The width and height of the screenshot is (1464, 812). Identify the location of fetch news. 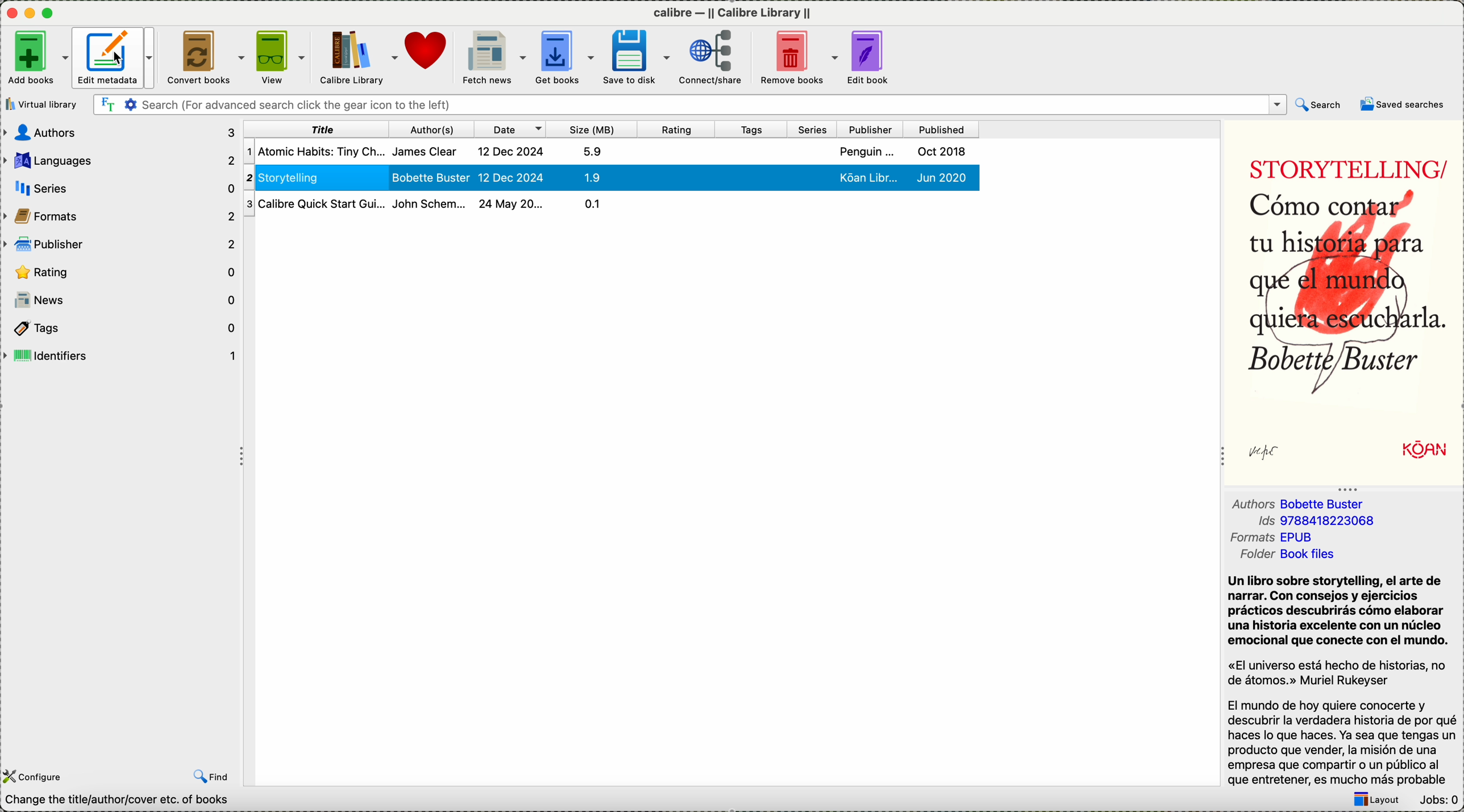
(492, 57).